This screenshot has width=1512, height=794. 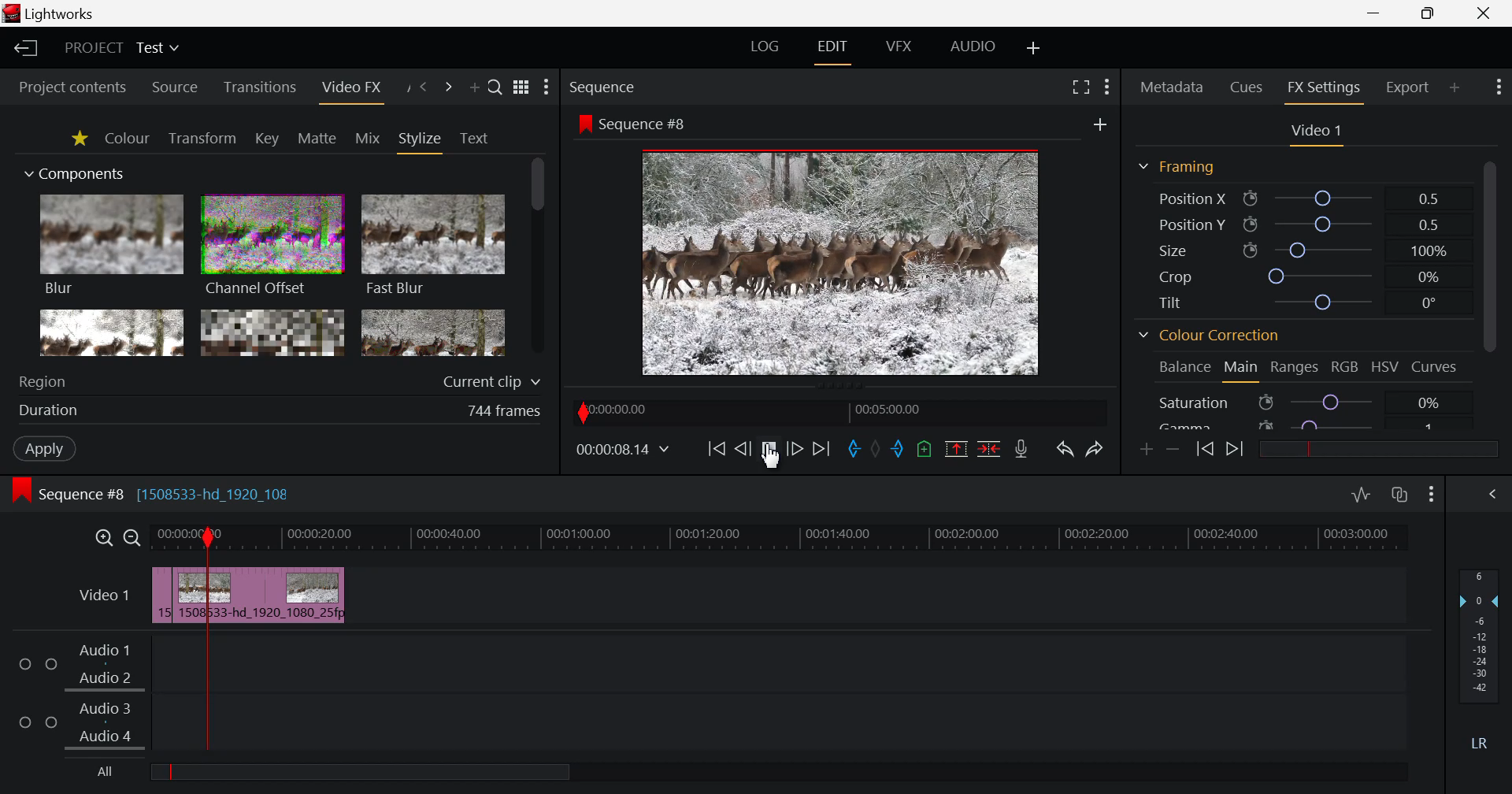 What do you see at coordinates (1240, 369) in the screenshot?
I see `Main Tab Open` at bounding box center [1240, 369].